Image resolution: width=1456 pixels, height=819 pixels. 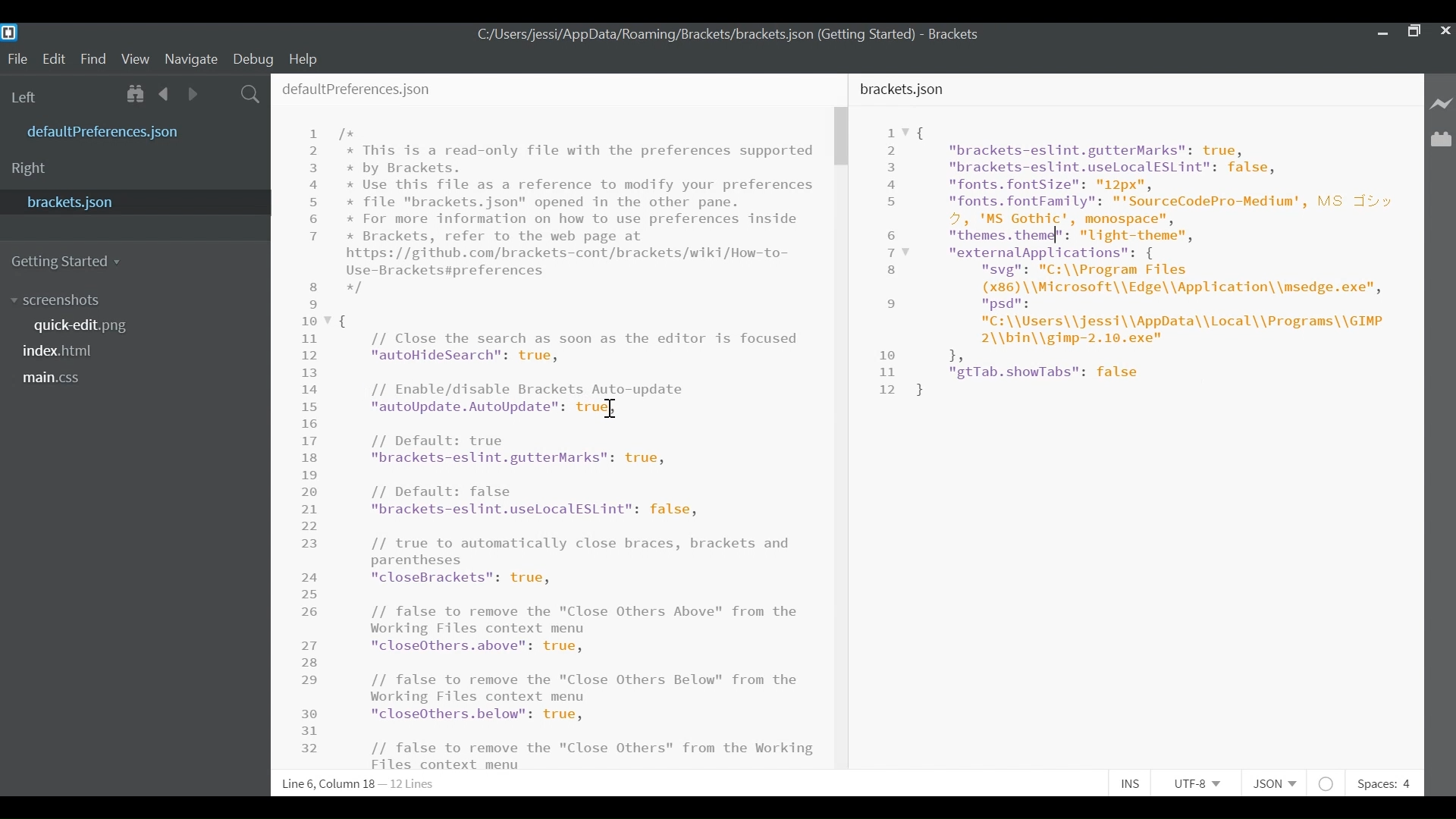 What do you see at coordinates (136, 58) in the screenshot?
I see `View` at bounding box center [136, 58].